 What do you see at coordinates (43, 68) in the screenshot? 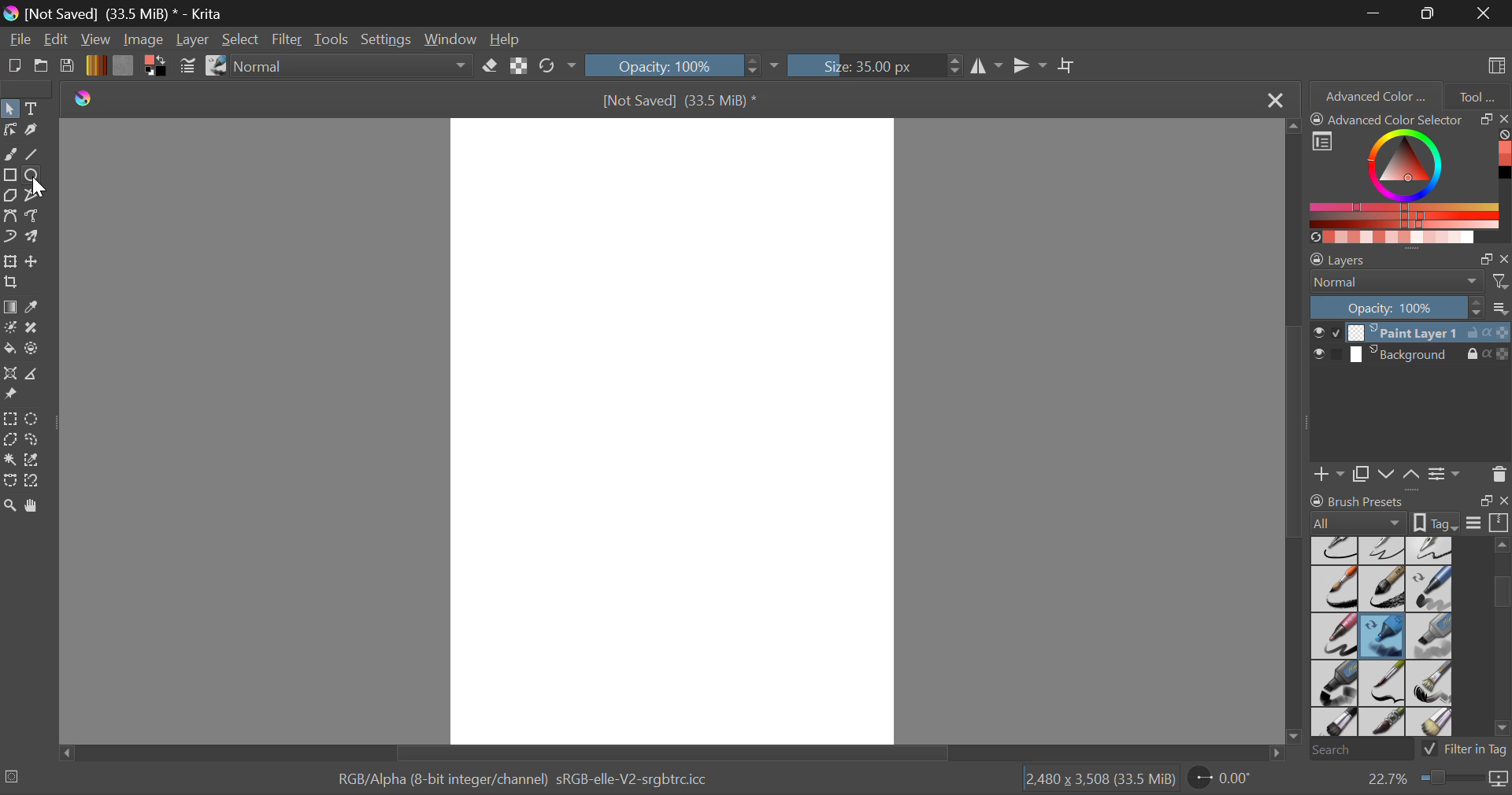
I see `Open` at bounding box center [43, 68].